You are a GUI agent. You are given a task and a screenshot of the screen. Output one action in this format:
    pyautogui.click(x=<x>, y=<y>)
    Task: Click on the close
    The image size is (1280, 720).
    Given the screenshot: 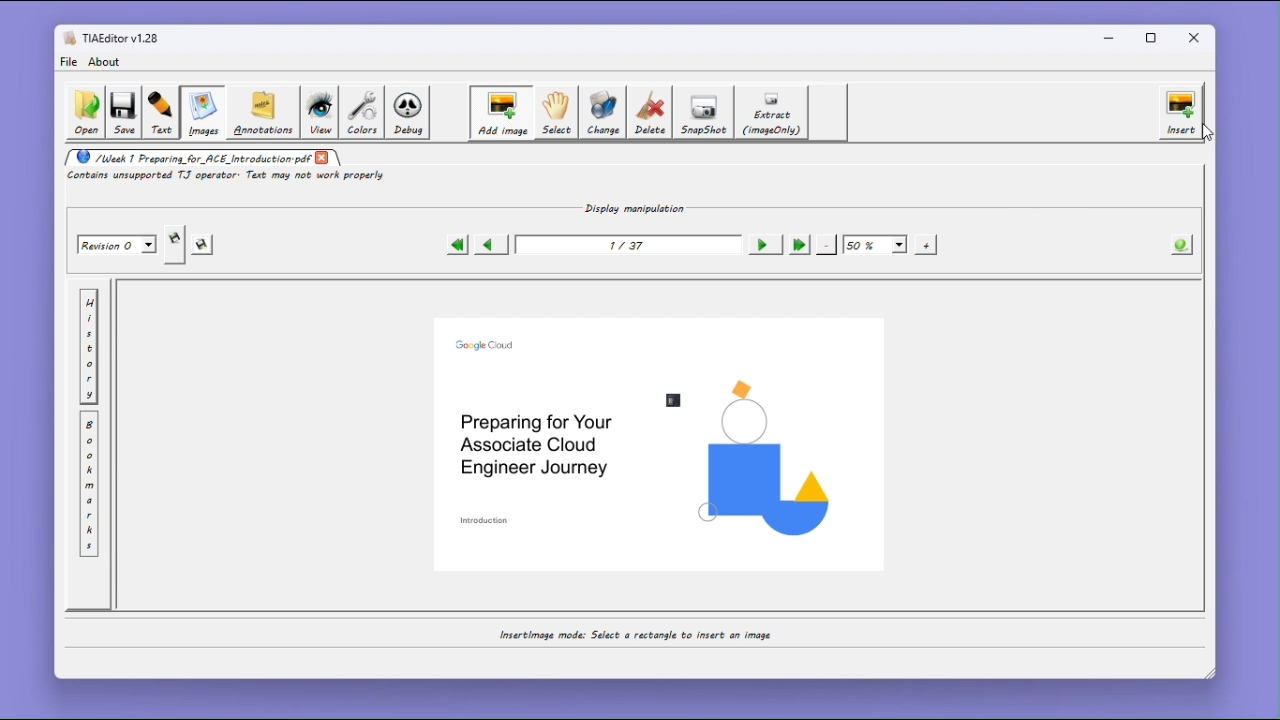 What is the action you would take?
    pyautogui.click(x=1198, y=38)
    